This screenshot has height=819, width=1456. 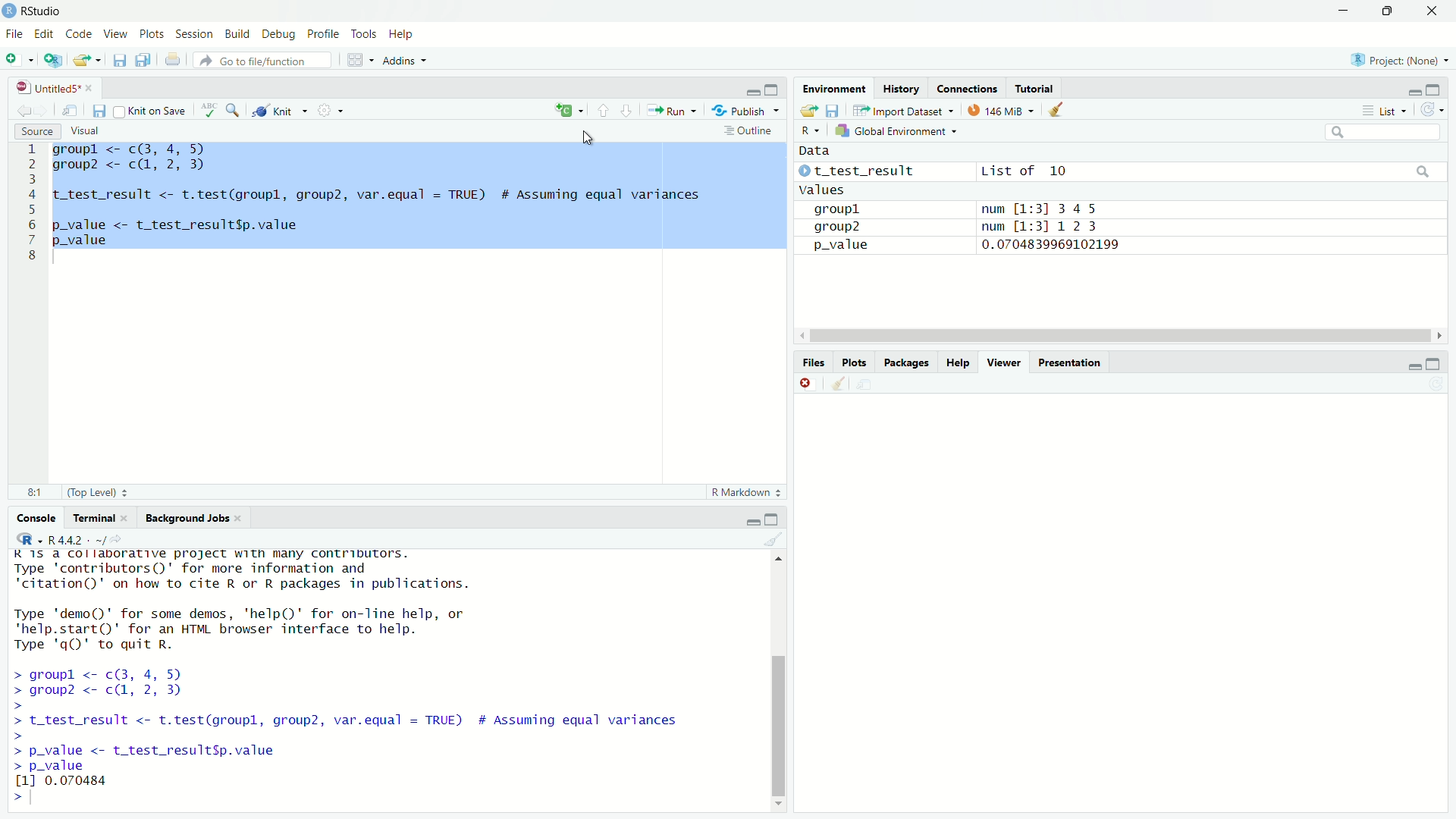 I want to click on clear objects from workspace, so click(x=1059, y=109).